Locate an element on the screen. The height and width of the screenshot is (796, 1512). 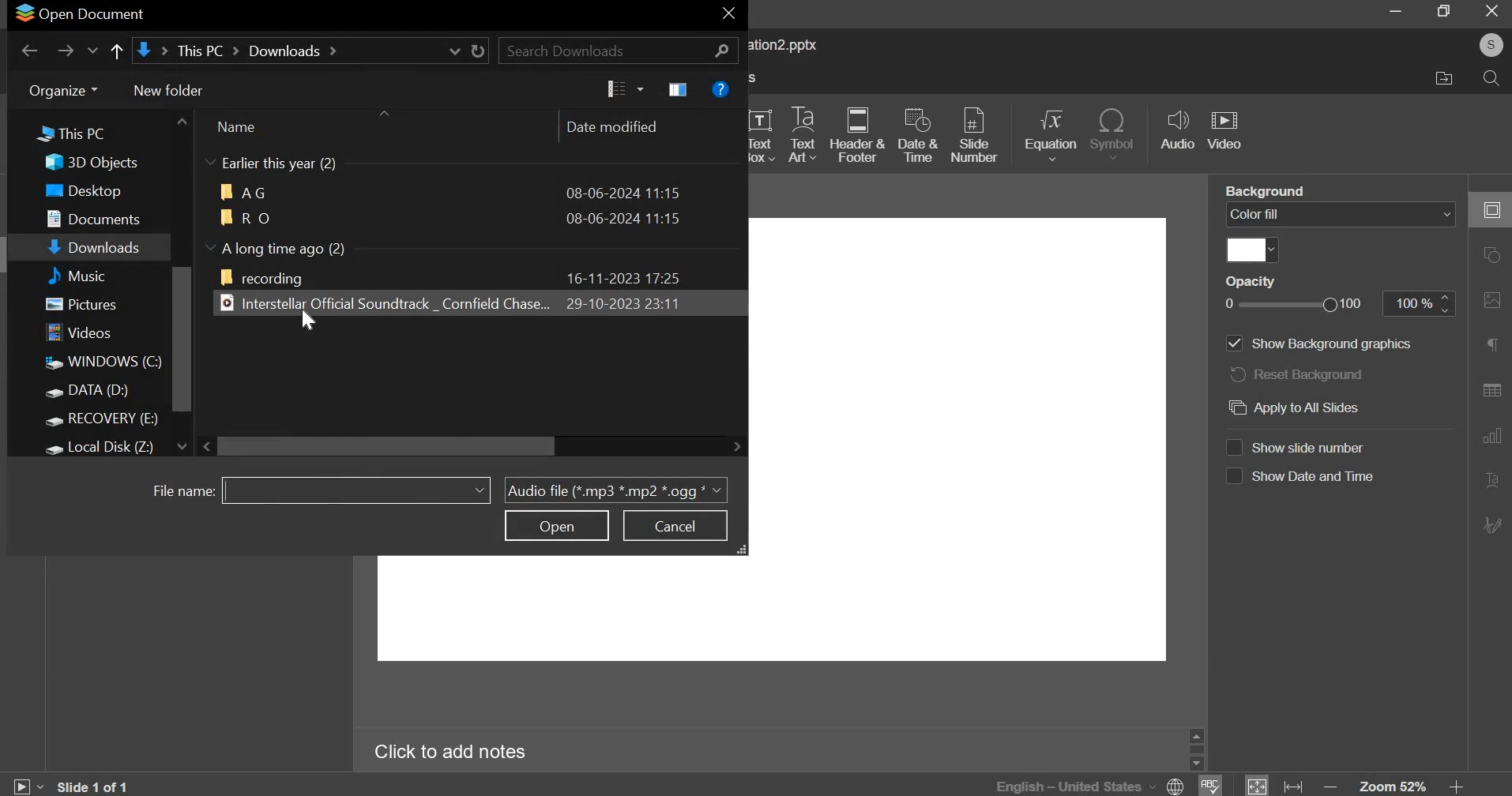
slider from 0 to 100 is located at coordinates (1292, 303).